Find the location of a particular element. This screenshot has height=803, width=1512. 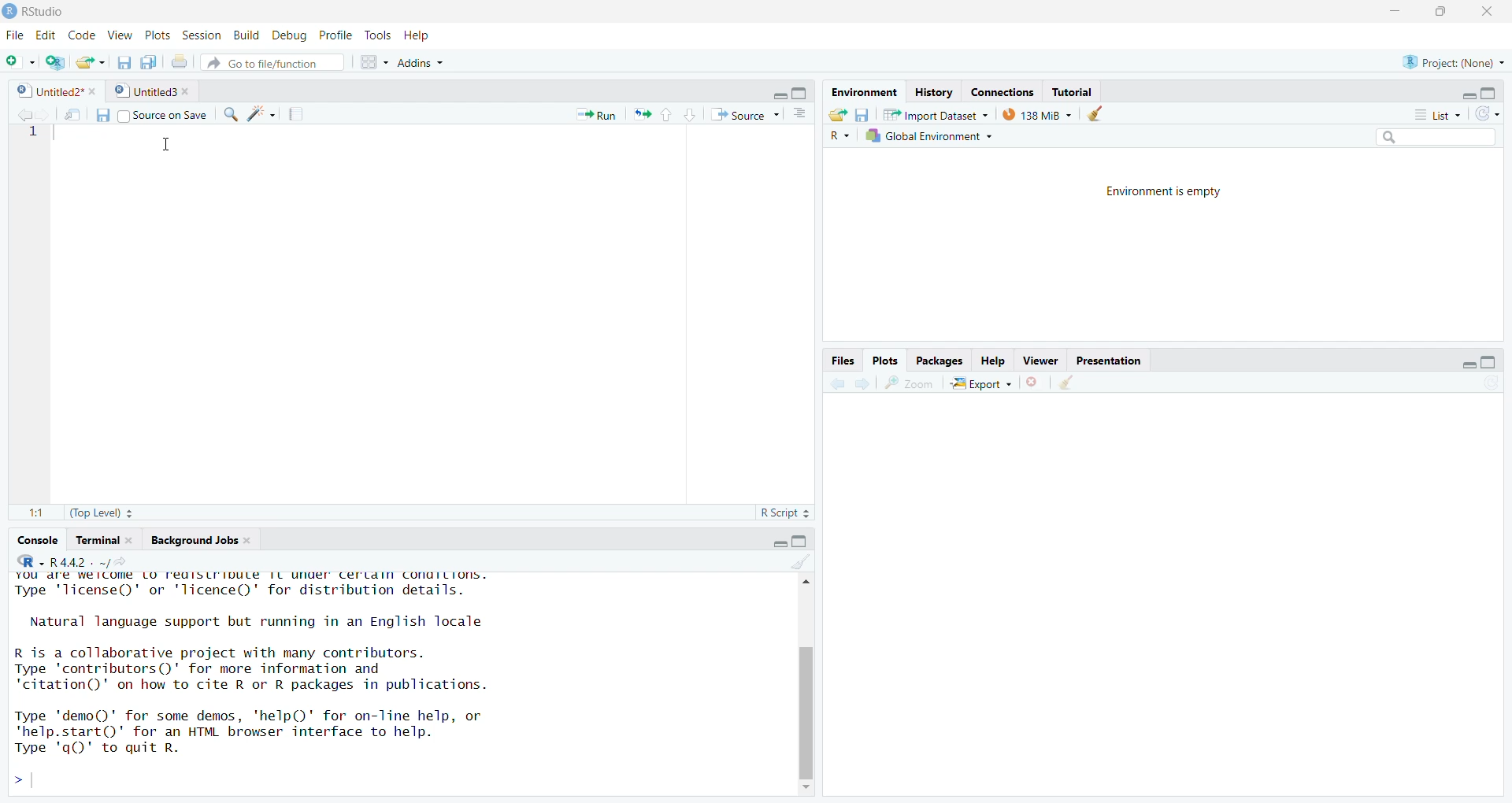

Search is located at coordinates (1420, 136).